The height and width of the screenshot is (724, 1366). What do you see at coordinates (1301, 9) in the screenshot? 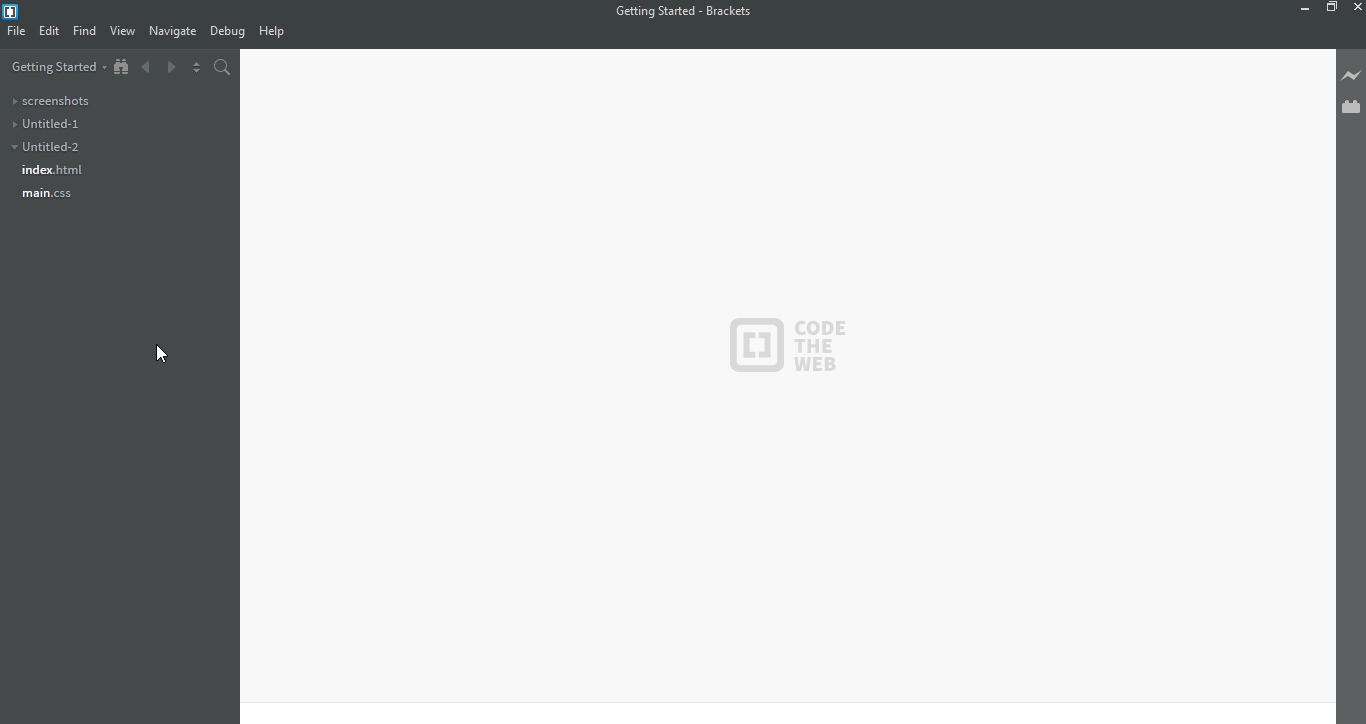
I see `minimize` at bounding box center [1301, 9].